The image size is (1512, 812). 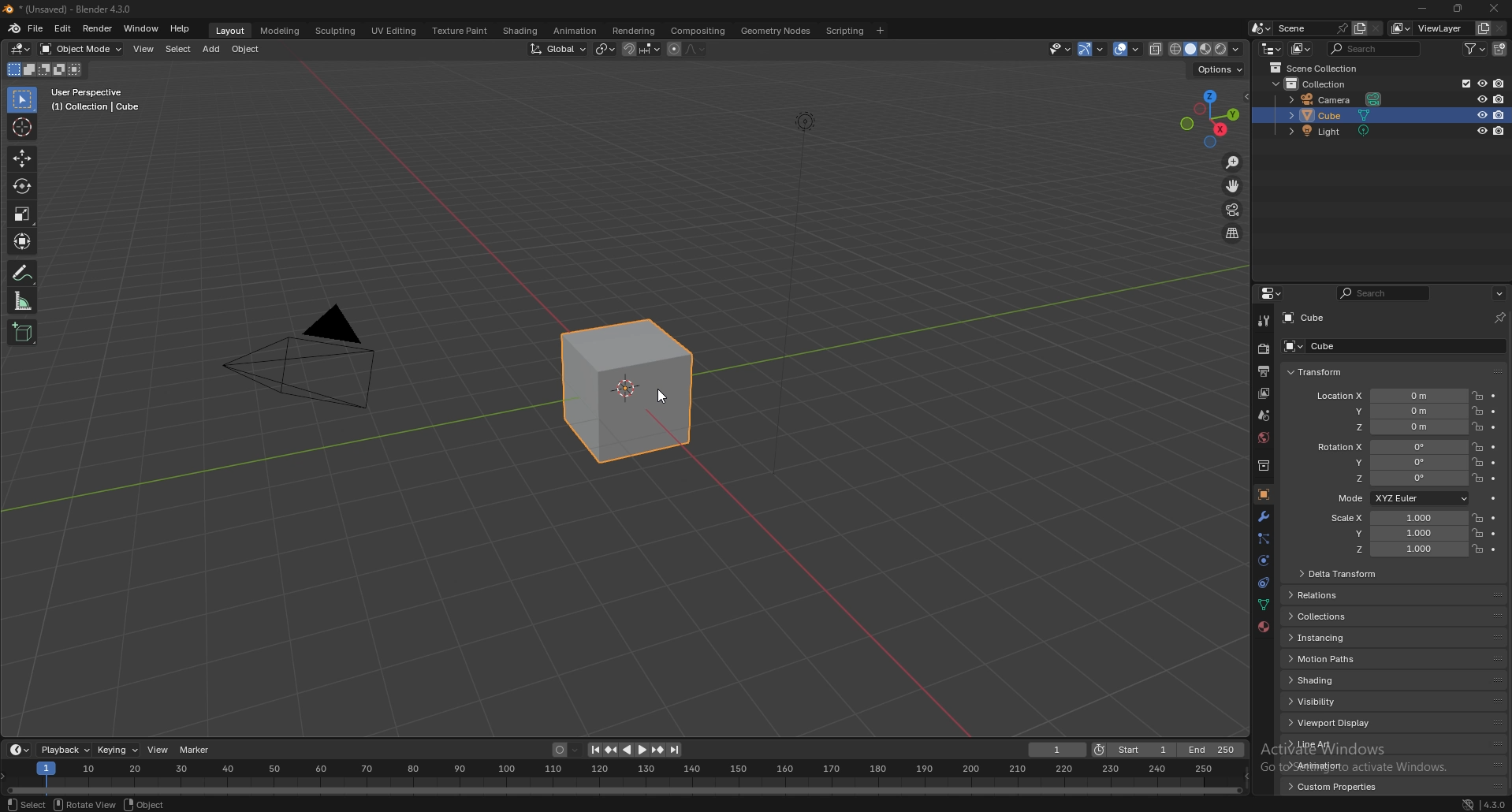 What do you see at coordinates (1494, 518) in the screenshot?
I see `animate property` at bounding box center [1494, 518].